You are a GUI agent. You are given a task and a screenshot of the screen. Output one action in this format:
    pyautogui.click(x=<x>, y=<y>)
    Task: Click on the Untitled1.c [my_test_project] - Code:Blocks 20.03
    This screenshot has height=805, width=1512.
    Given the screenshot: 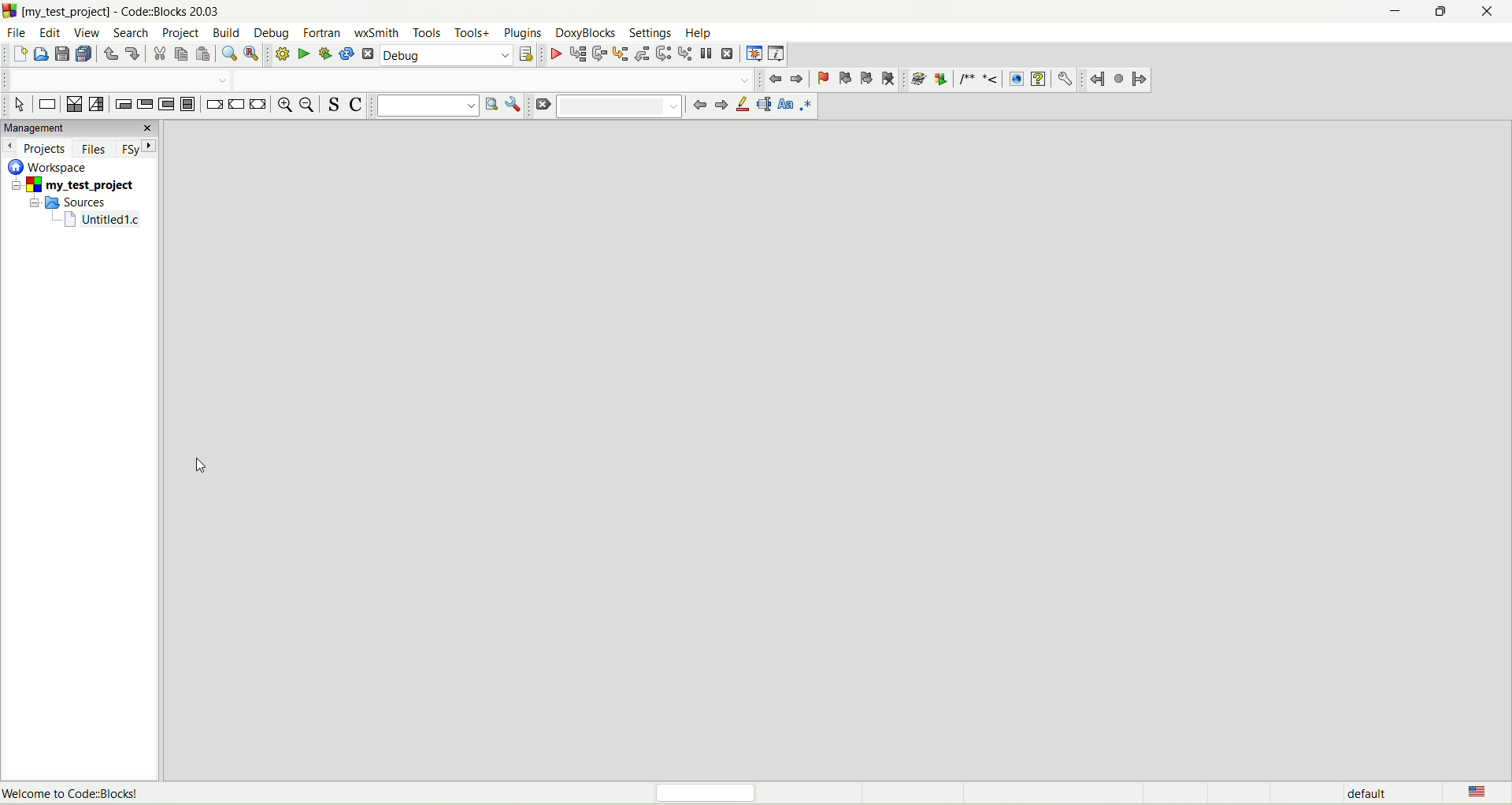 What is the action you would take?
    pyautogui.click(x=148, y=12)
    